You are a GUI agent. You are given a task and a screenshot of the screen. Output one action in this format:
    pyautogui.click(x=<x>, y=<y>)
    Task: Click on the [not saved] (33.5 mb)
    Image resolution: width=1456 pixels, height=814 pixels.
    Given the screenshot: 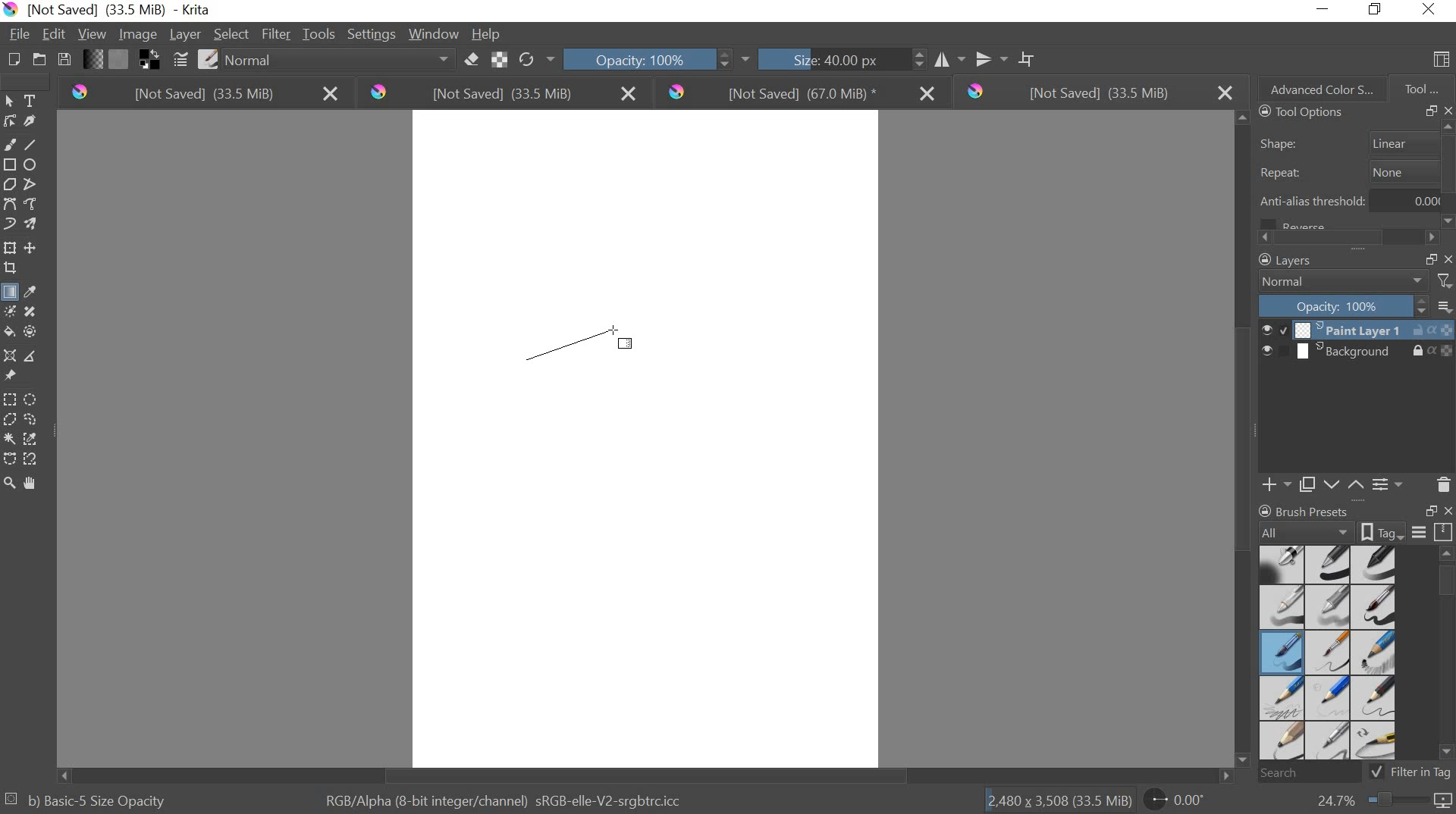 What is the action you would take?
    pyautogui.click(x=504, y=94)
    